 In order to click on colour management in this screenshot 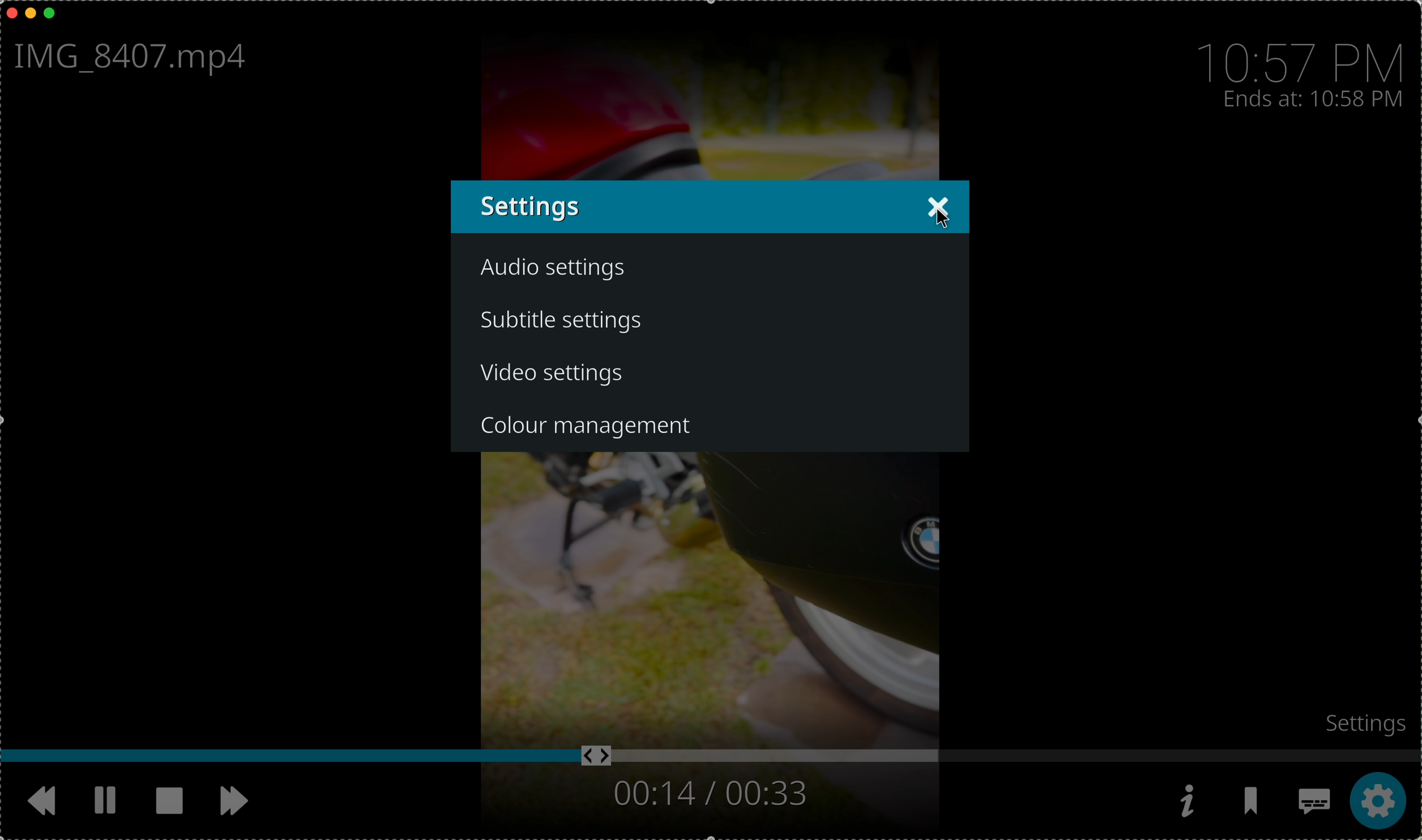, I will do `click(595, 428)`.